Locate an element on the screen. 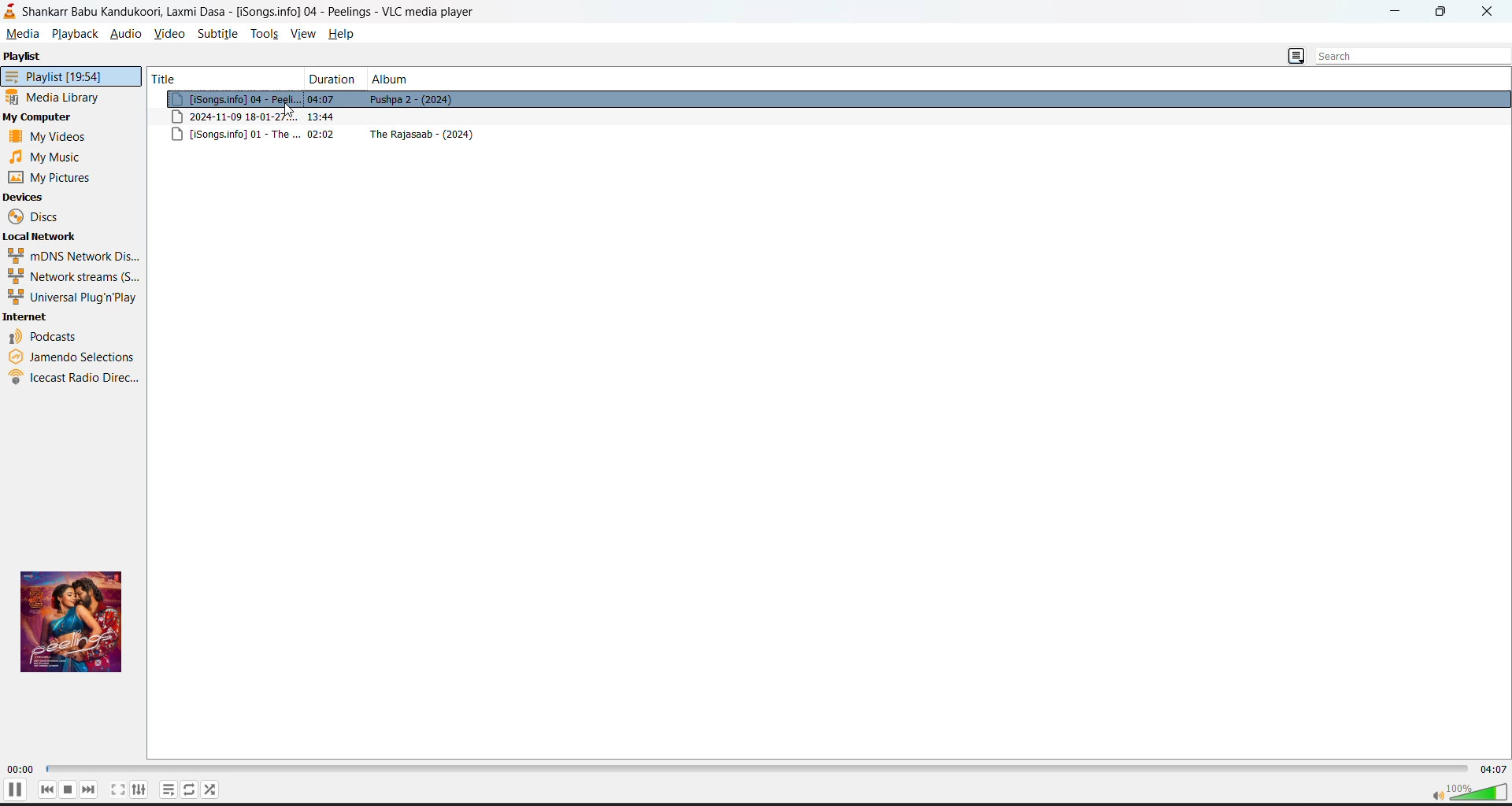  playlist is located at coordinates (24, 57).